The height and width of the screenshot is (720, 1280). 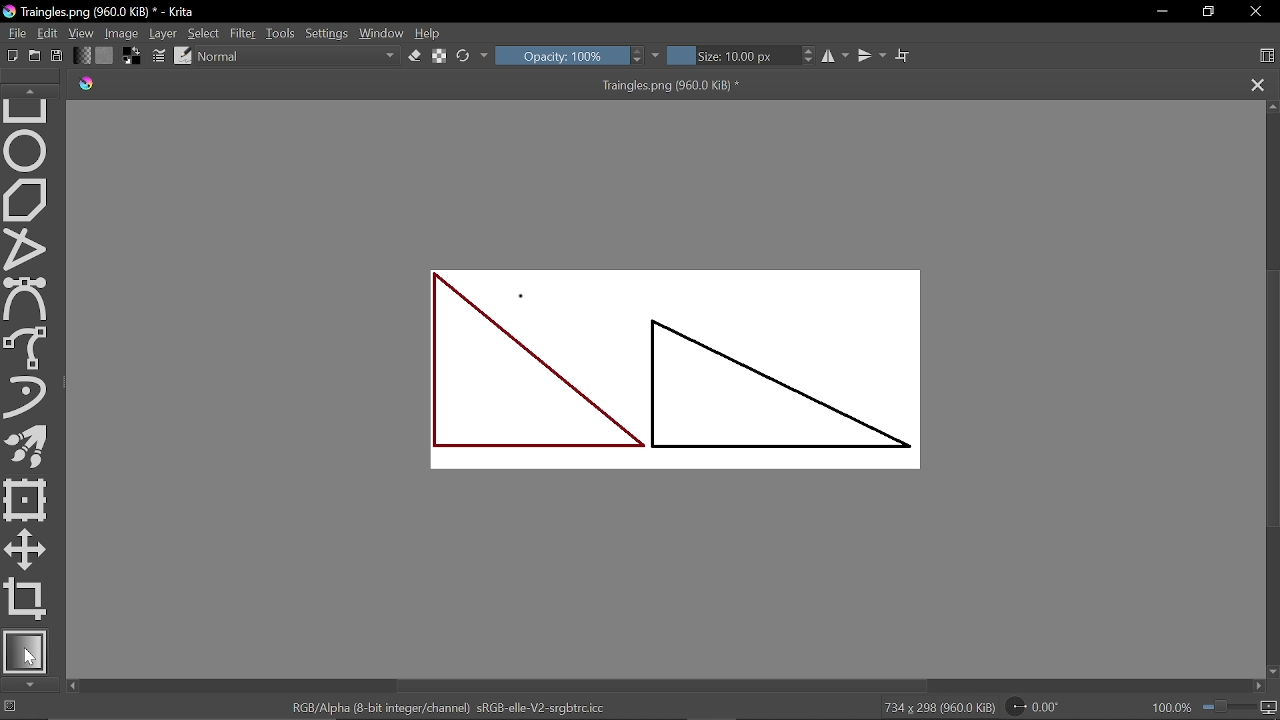 I want to click on Move tool, so click(x=25, y=549).